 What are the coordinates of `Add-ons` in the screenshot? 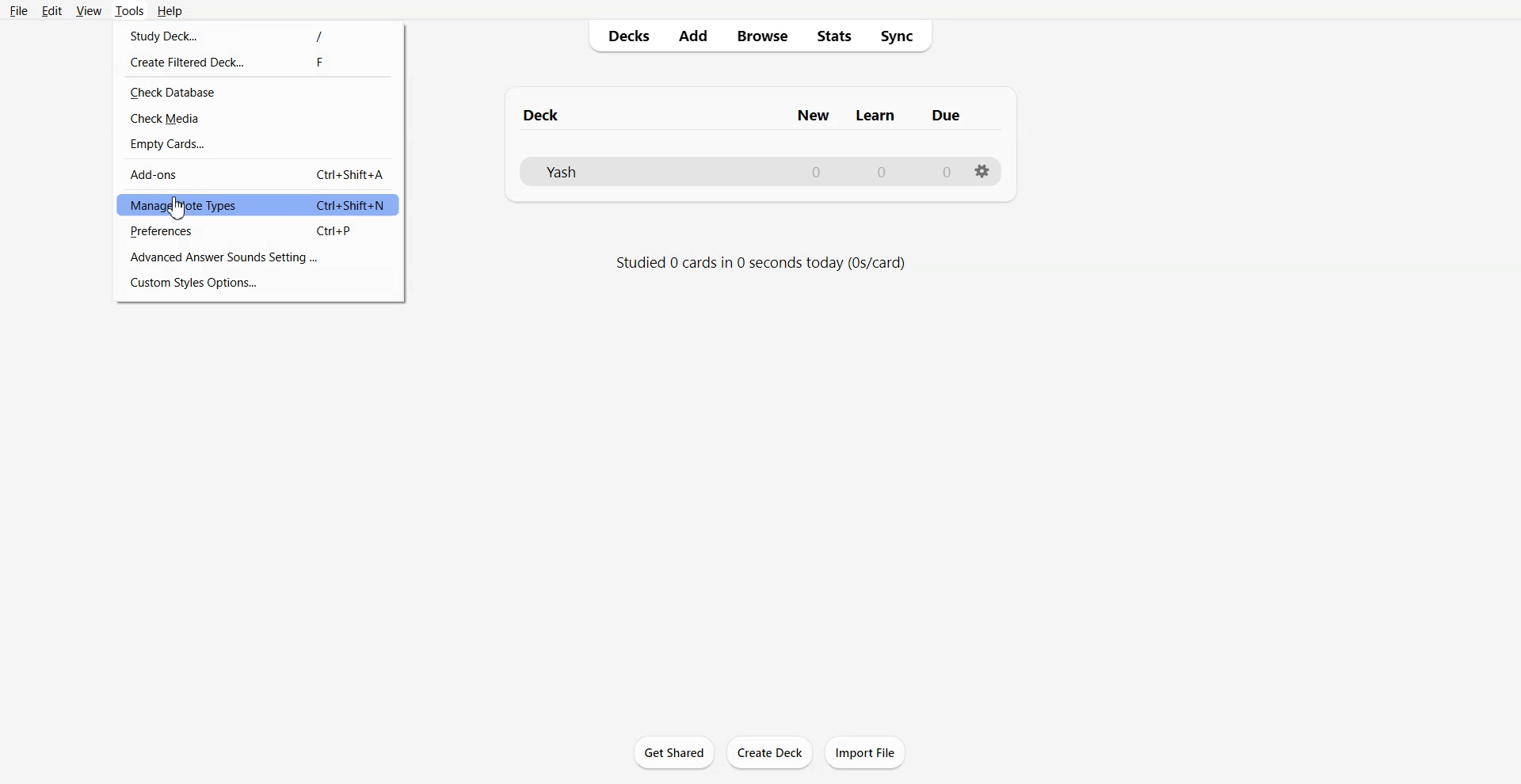 It's located at (256, 174).